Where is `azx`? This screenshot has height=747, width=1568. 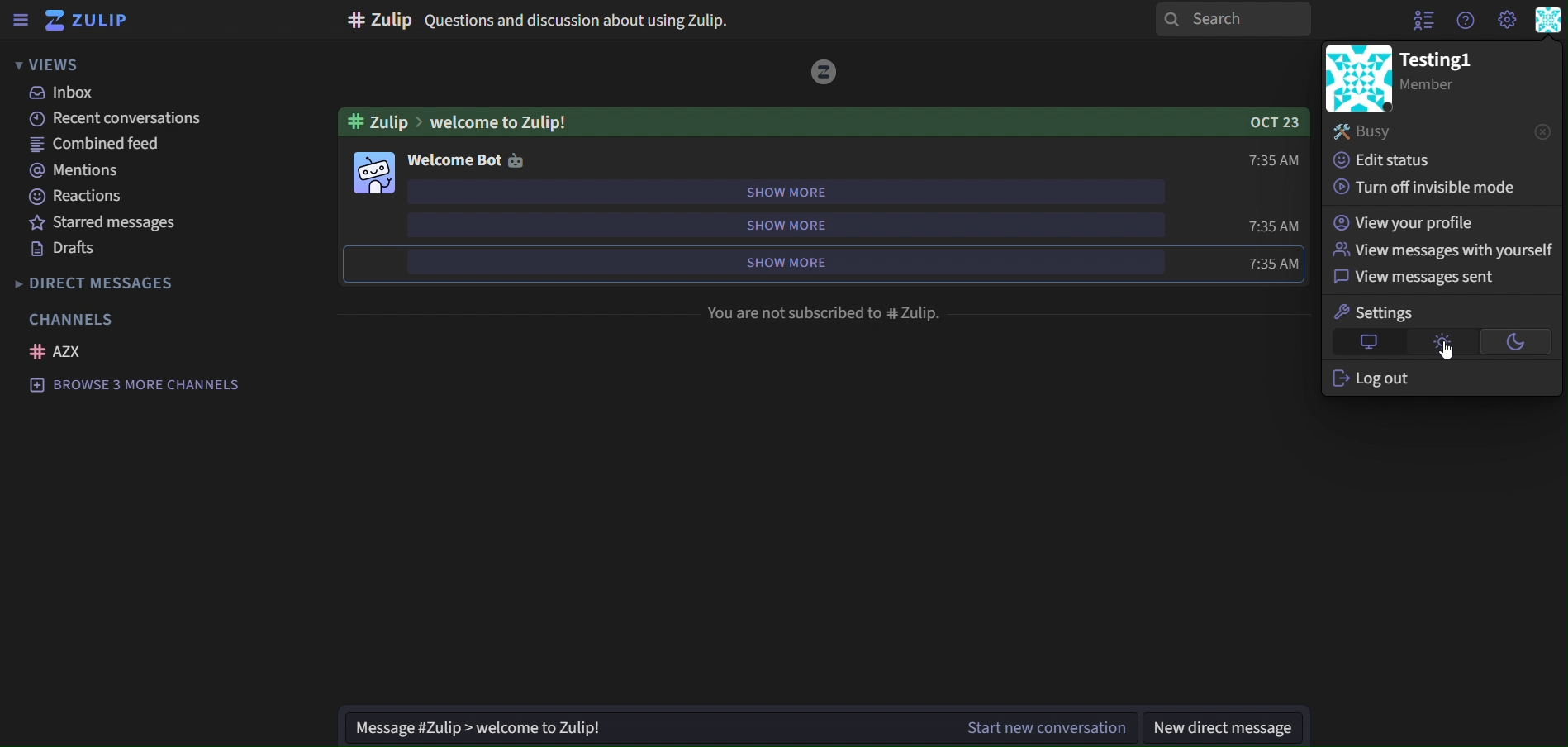
azx is located at coordinates (64, 350).